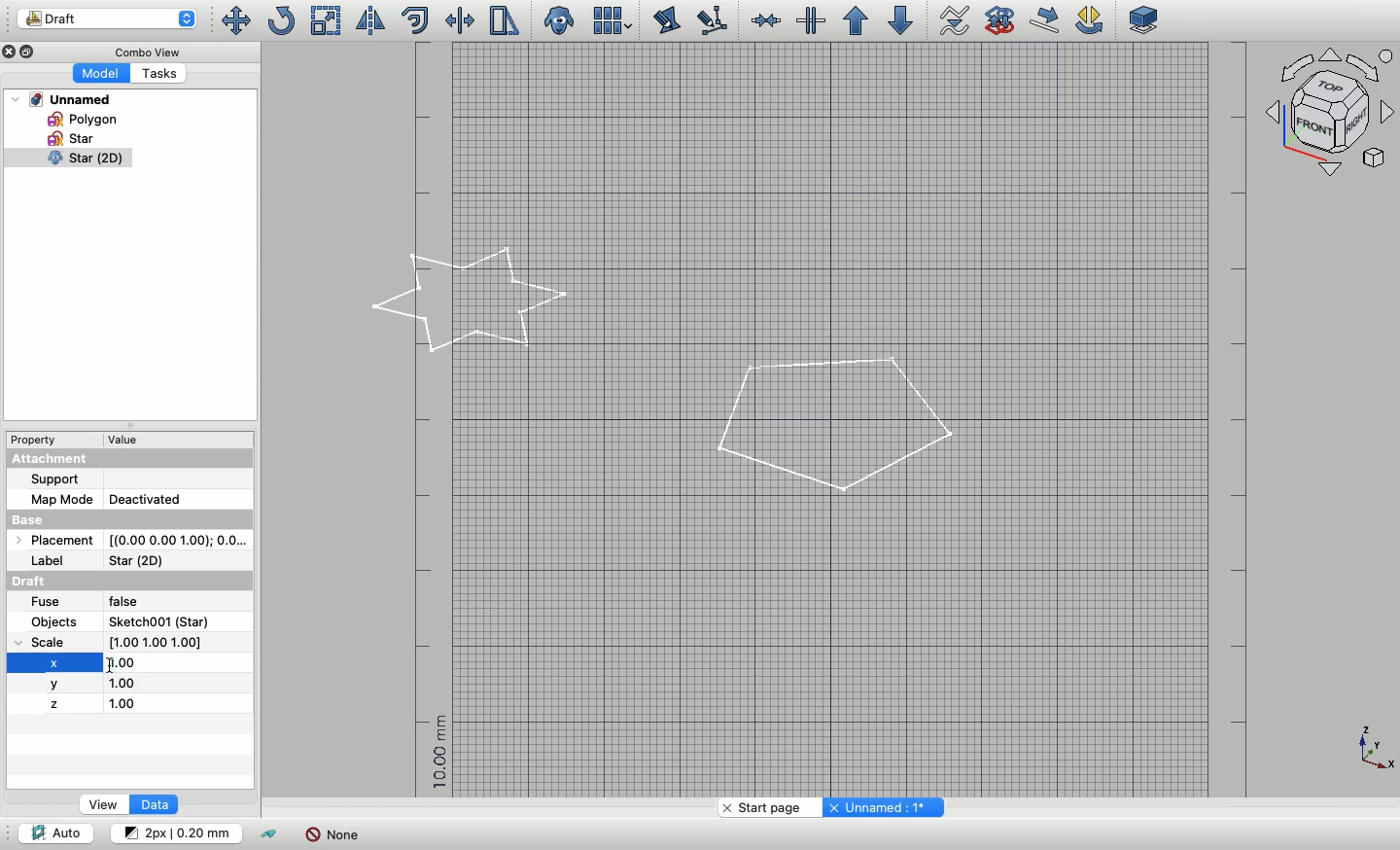  I want to click on Move, so click(234, 20).